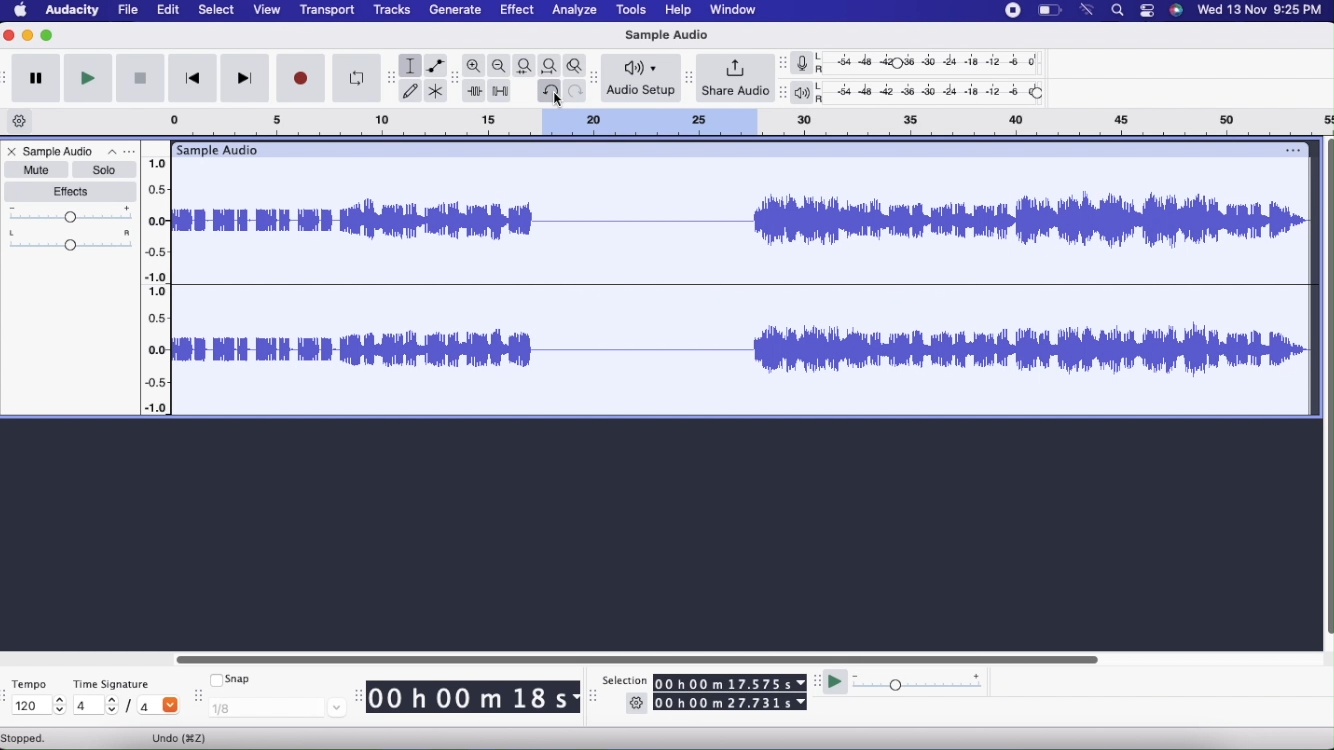 The width and height of the screenshot is (1334, 750). I want to click on Playback meter, so click(807, 92).